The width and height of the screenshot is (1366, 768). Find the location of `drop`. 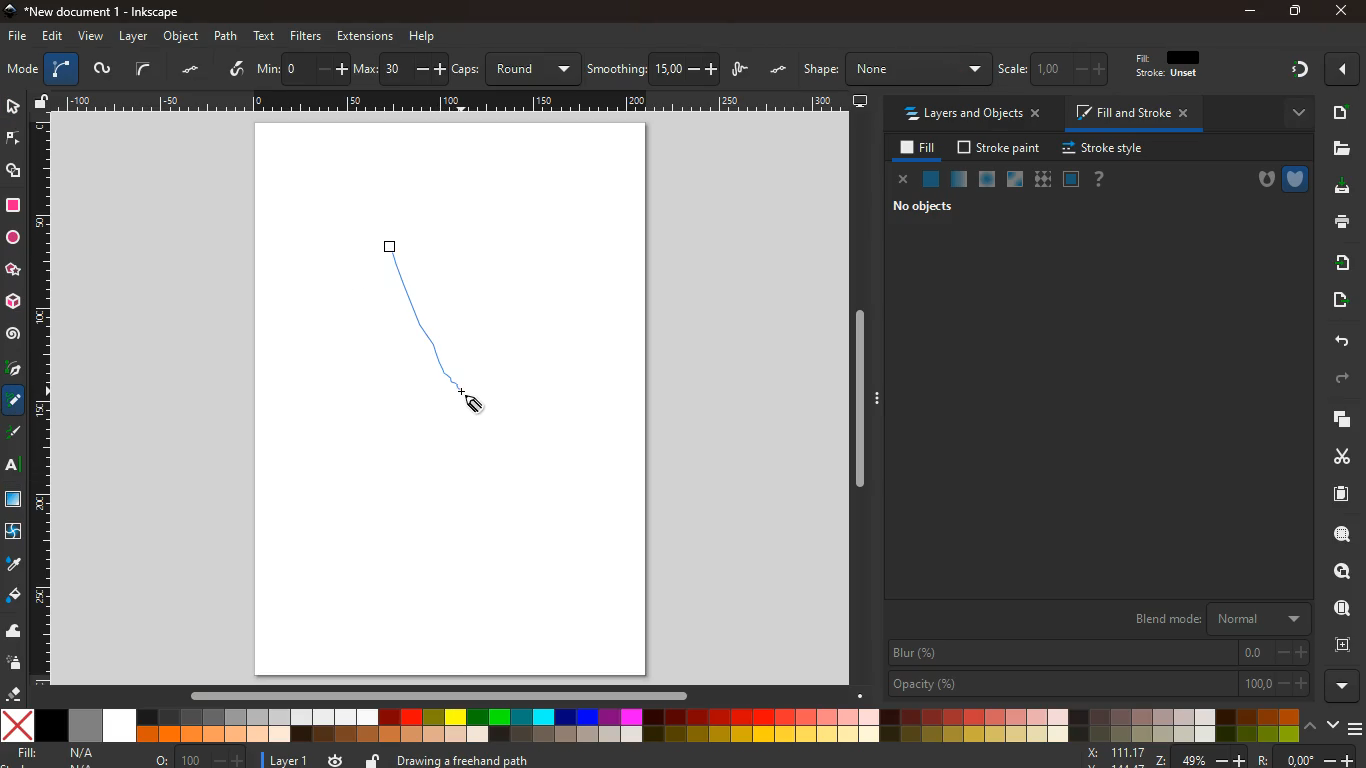

drop is located at coordinates (13, 565).